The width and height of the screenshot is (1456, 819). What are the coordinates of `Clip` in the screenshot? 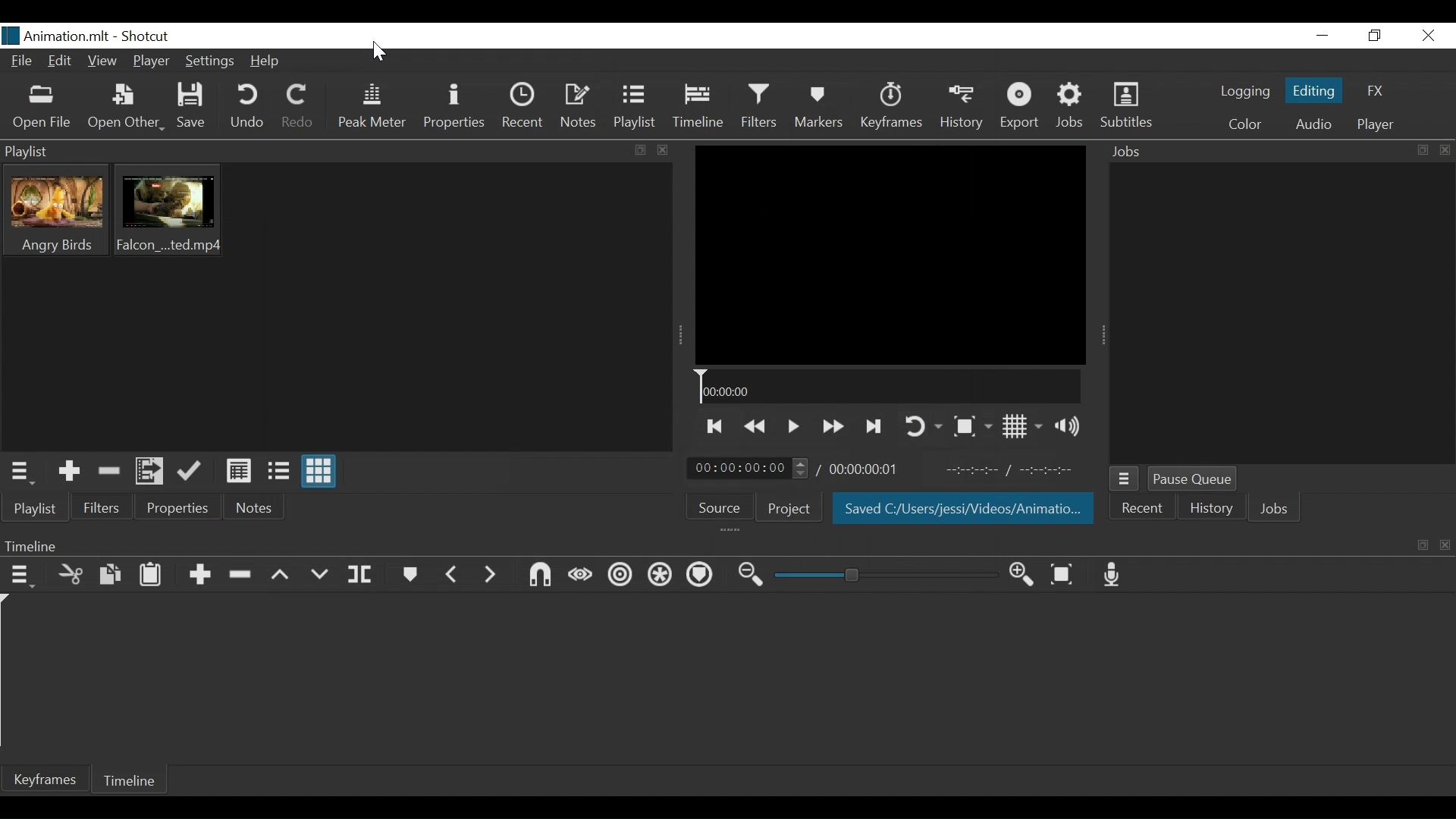 It's located at (52, 209).